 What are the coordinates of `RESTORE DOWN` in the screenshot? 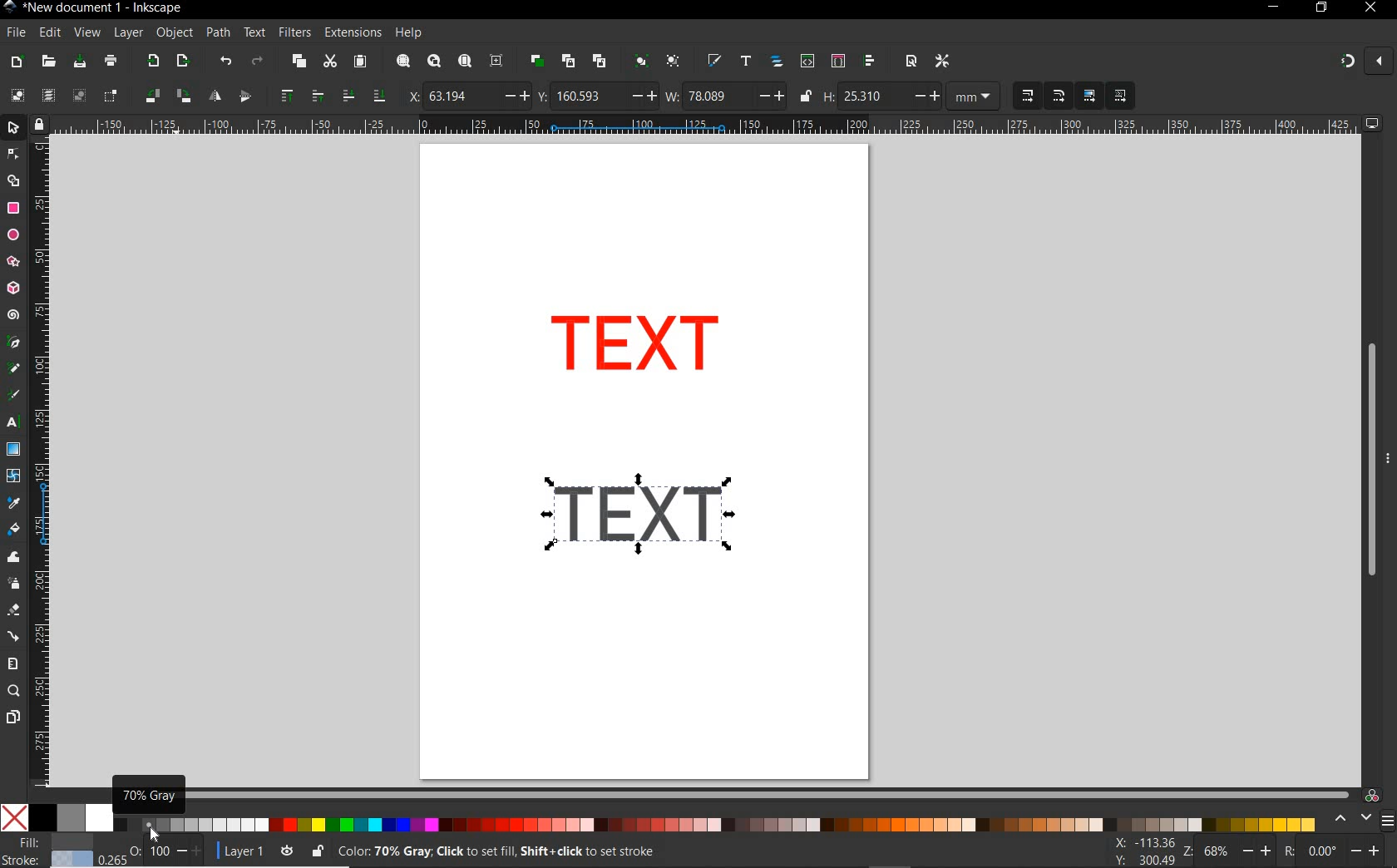 It's located at (1320, 8).